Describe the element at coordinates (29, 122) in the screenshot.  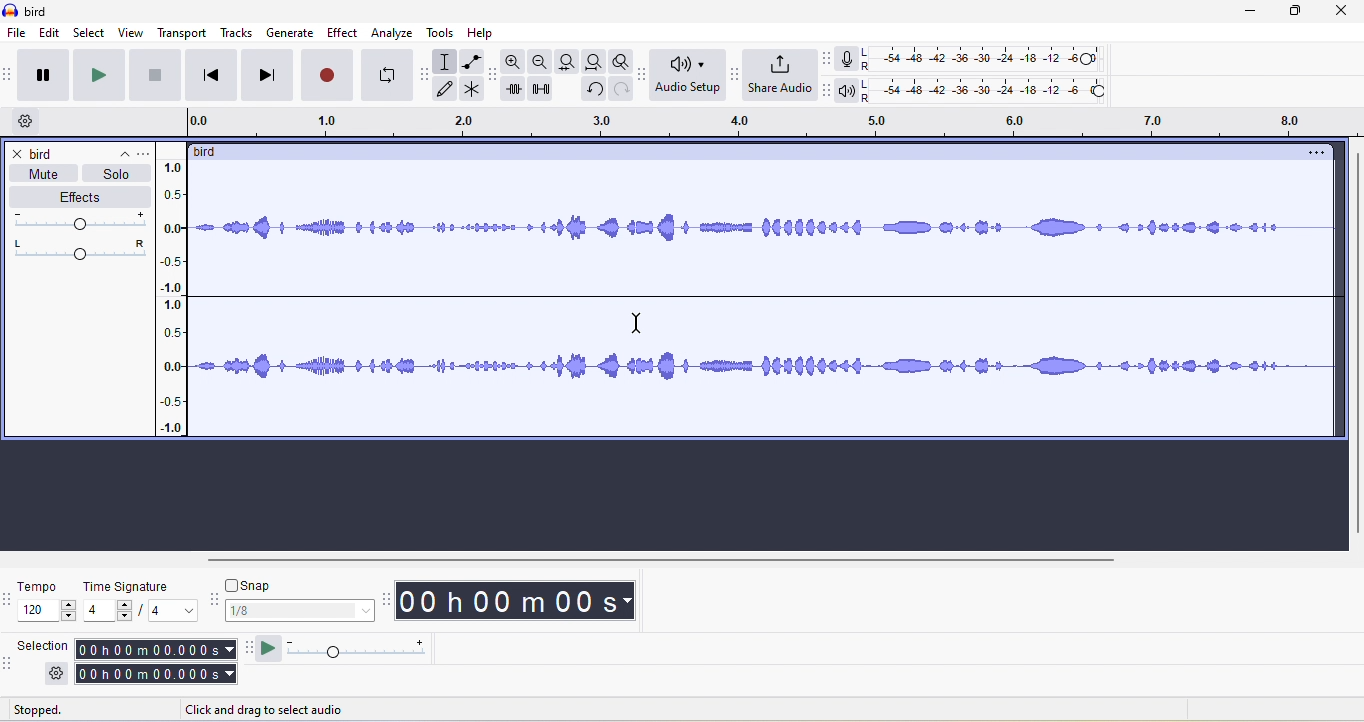
I see `timeline option` at that location.